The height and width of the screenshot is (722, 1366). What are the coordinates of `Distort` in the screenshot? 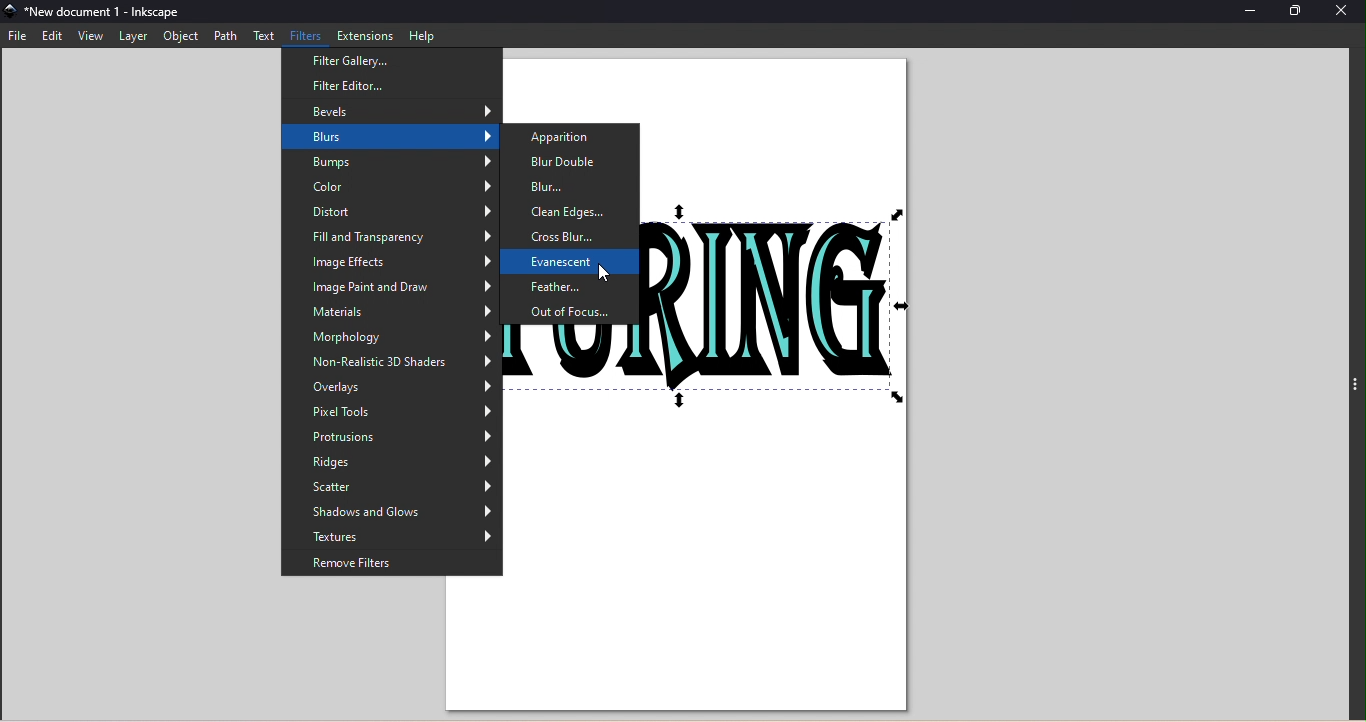 It's located at (395, 208).